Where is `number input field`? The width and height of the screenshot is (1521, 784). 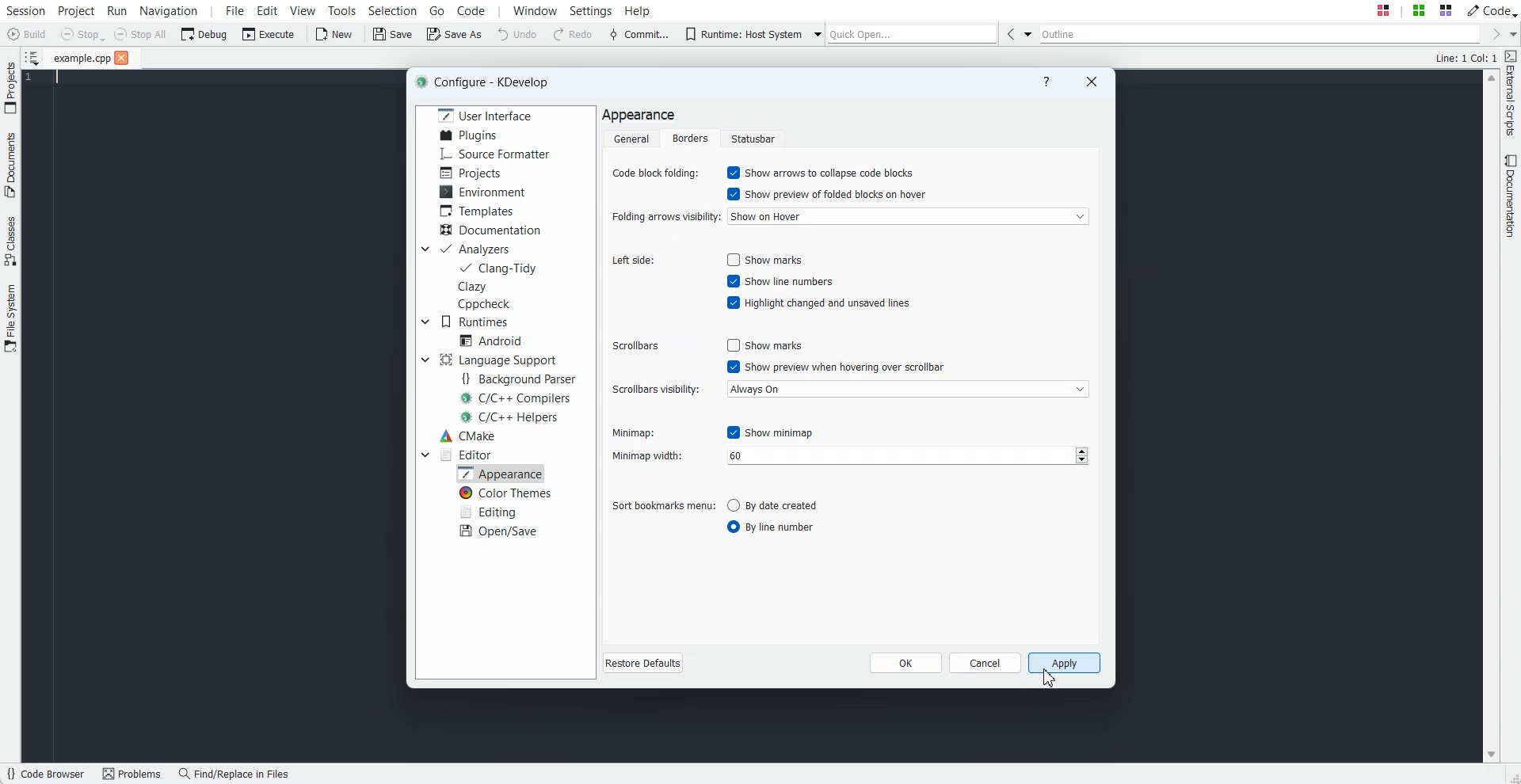 number input field is located at coordinates (906, 456).